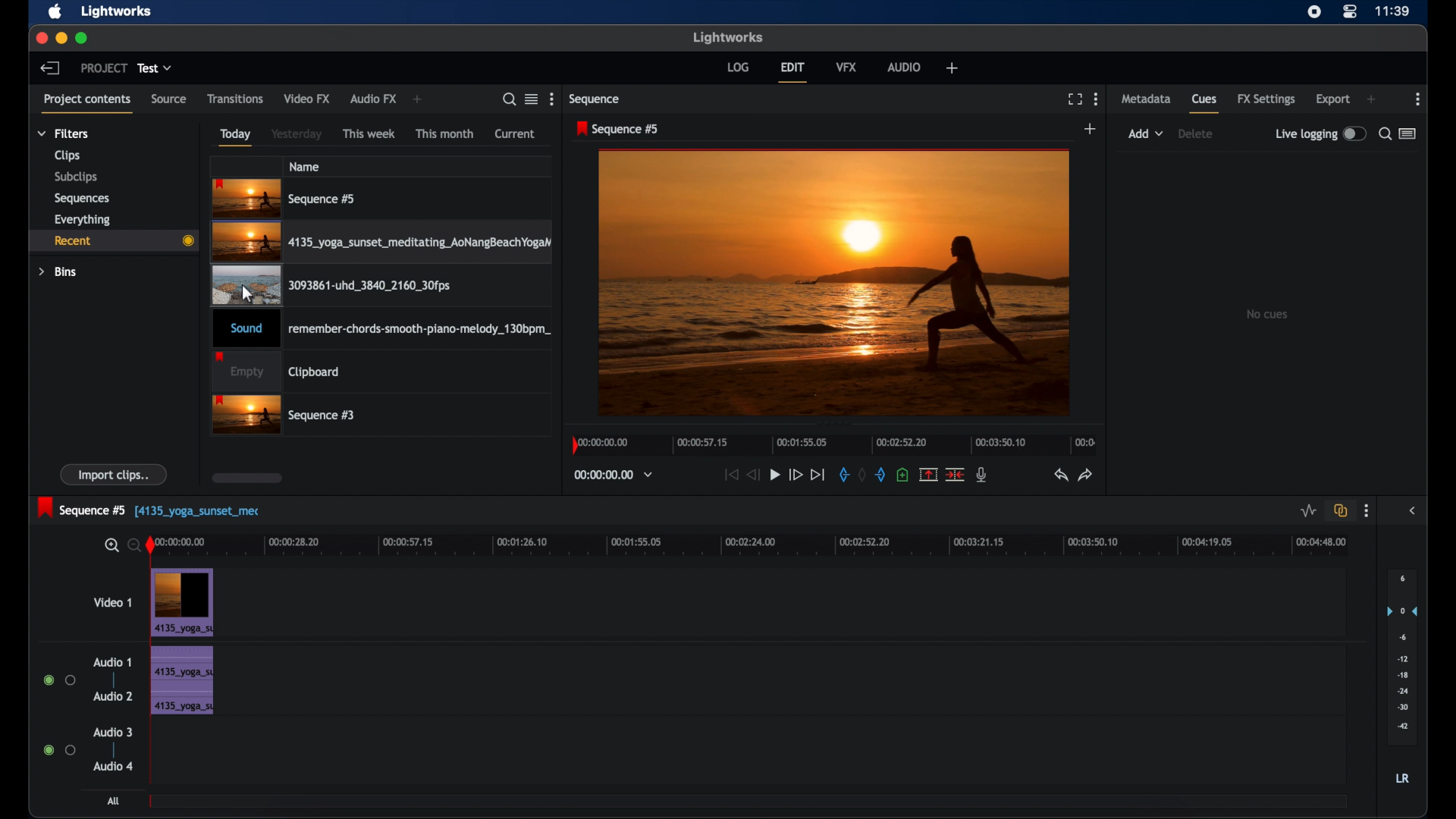 The width and height of the screenshot is (1456, 819). I want to click on cut, so click(955, 474).